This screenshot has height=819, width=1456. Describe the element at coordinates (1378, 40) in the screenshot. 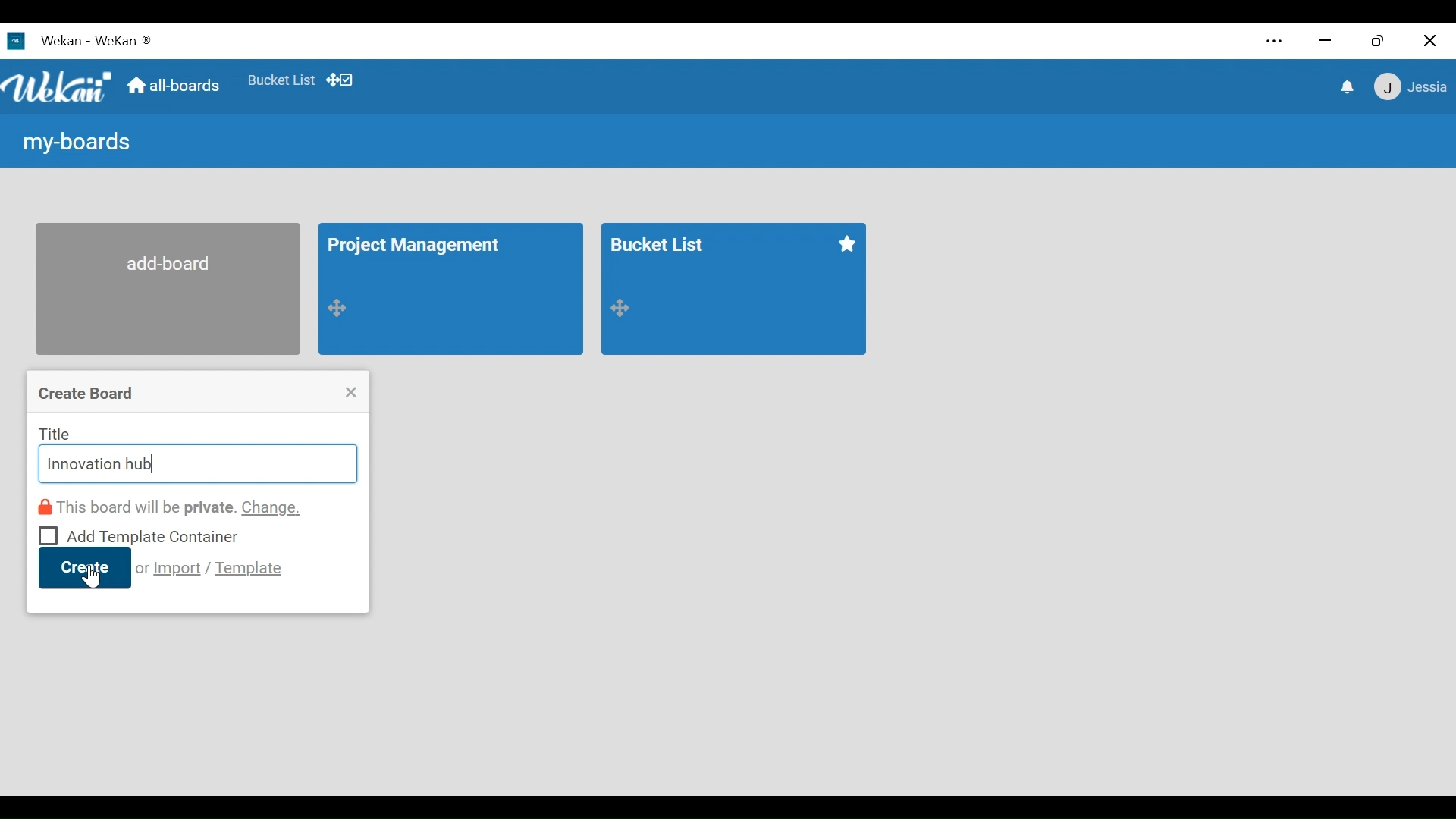

I see `Restore` at that location.